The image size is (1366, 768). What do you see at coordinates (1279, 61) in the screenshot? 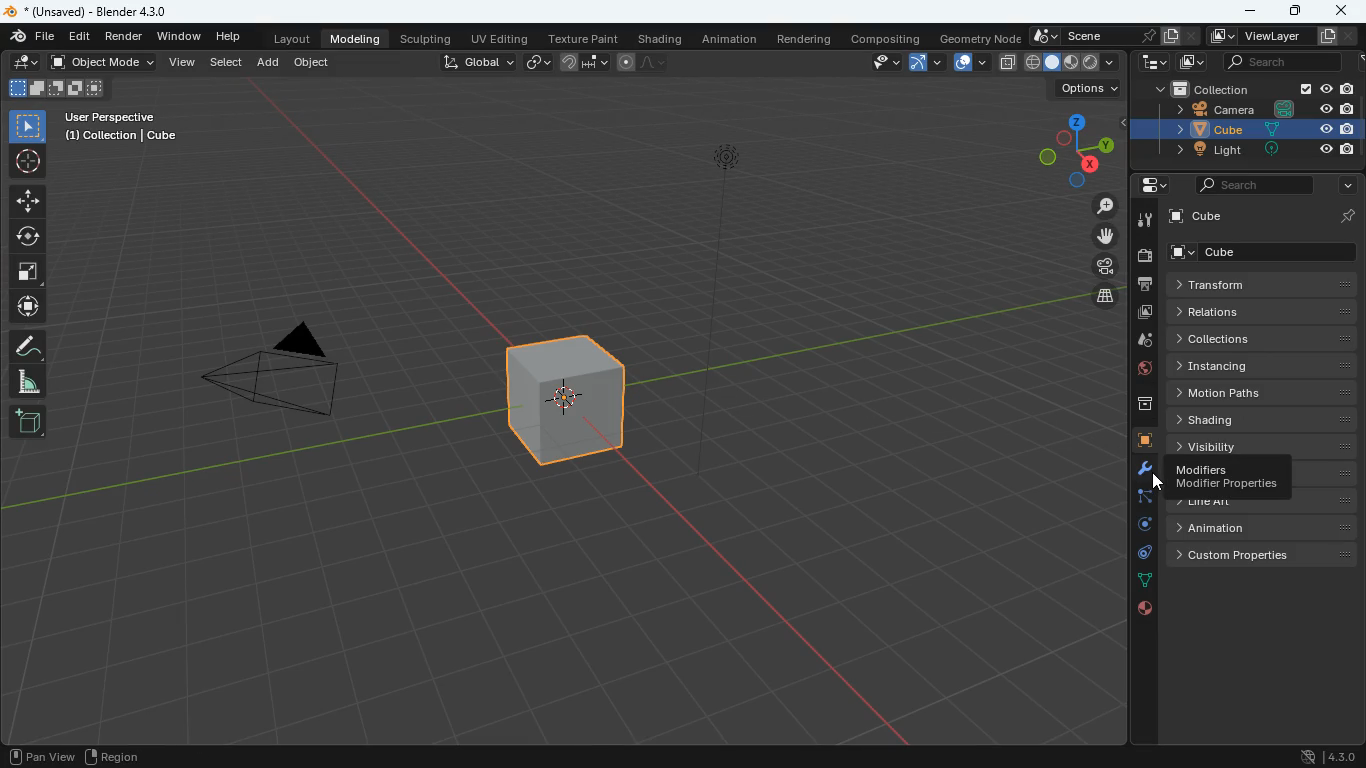
I see `search` at bounding box center [1279, 61].